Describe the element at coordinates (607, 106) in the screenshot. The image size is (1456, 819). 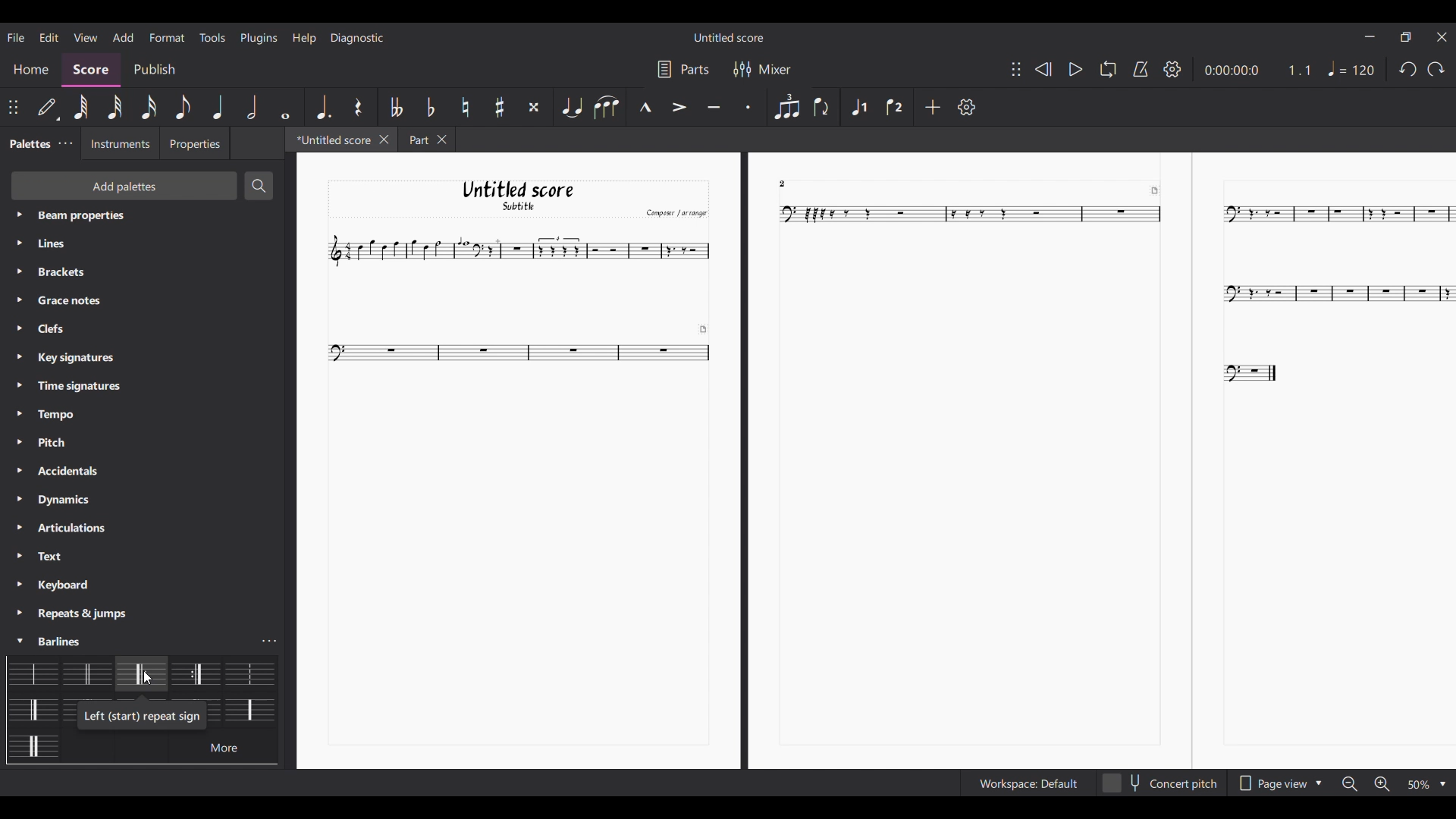
I see `Slur` at that location.